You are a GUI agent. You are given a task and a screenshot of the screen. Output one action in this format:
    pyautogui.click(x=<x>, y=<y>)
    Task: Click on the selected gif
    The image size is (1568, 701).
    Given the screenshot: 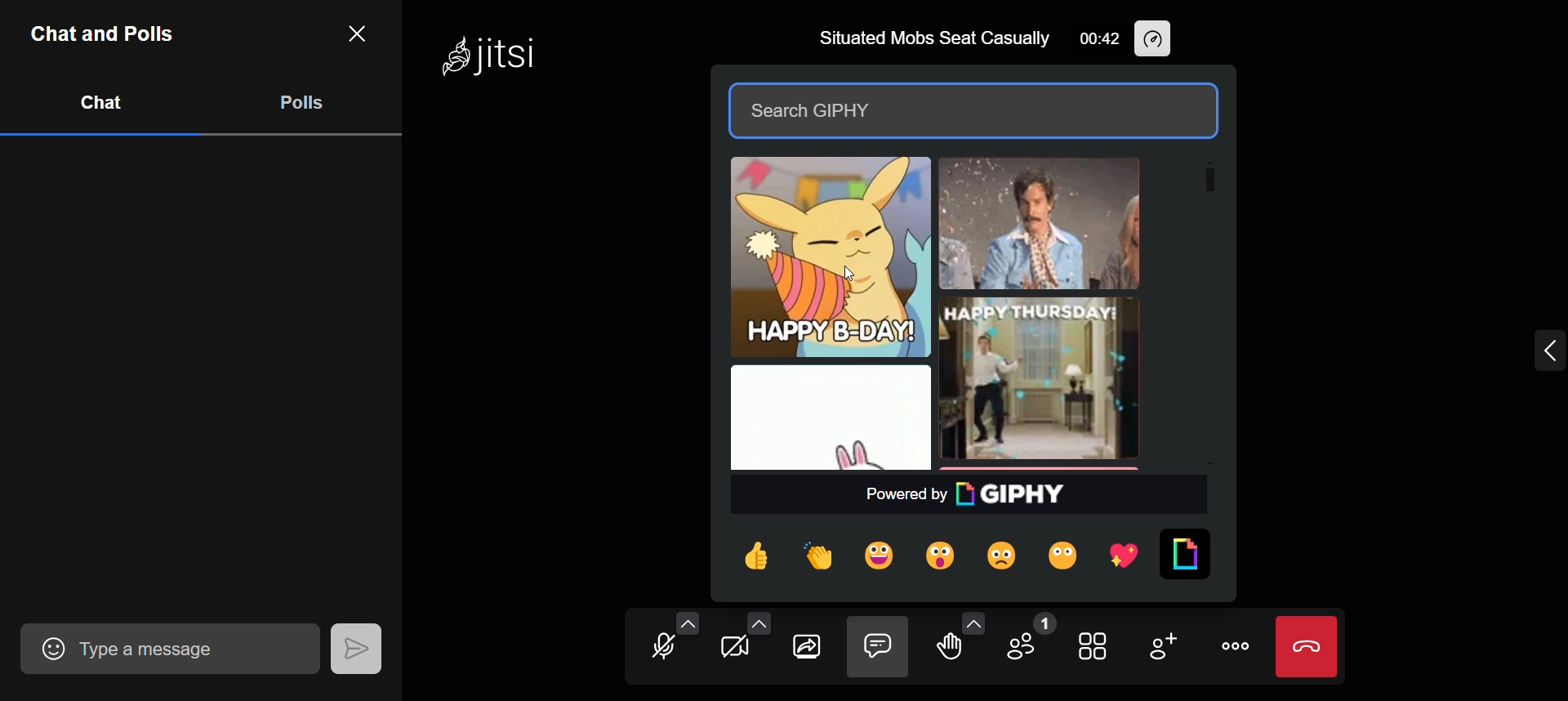 What is the action you would take?
    pyautogui.click(x=827, y=258)
    